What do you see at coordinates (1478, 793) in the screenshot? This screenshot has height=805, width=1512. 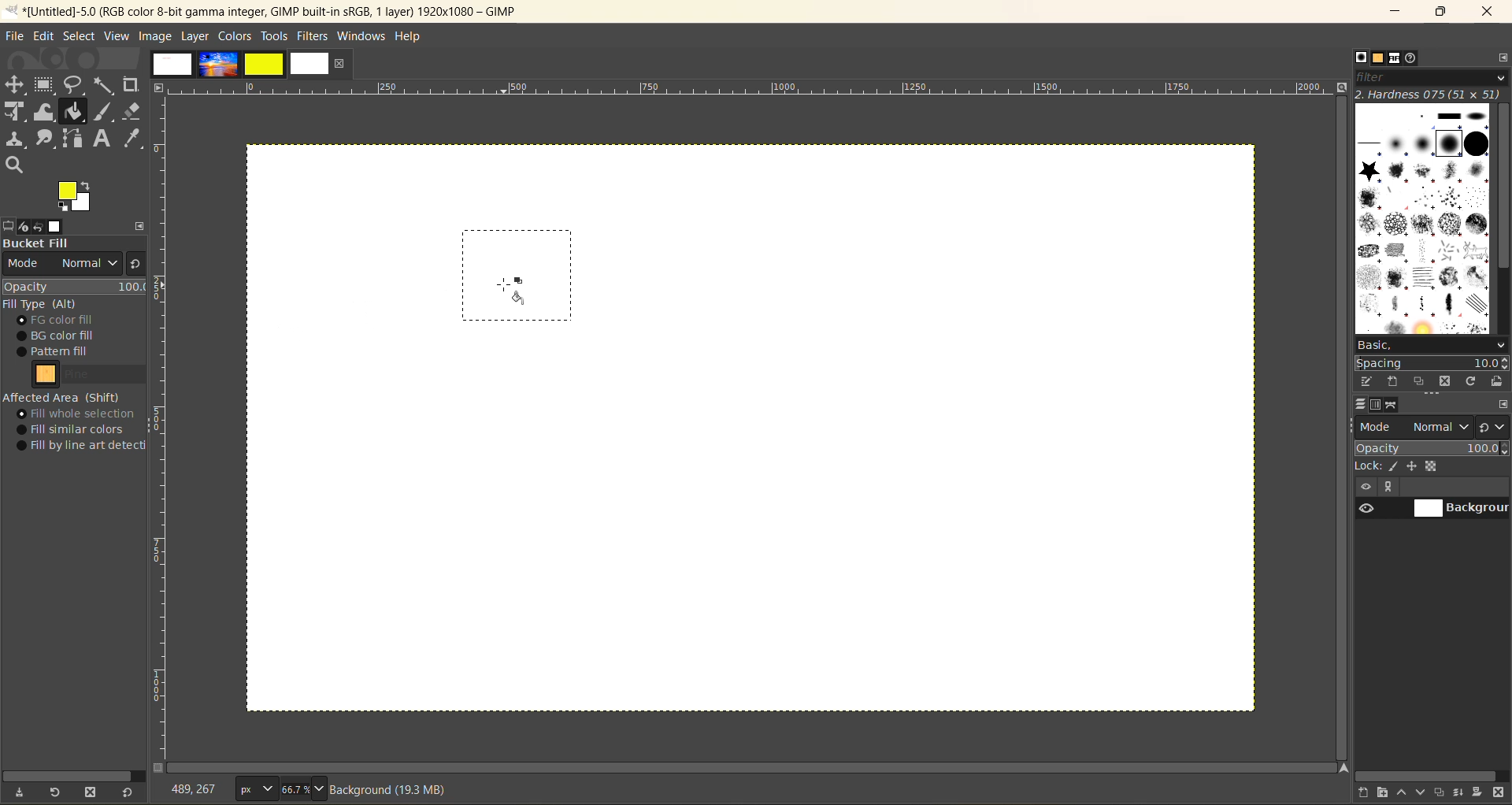 I see `add a mask` at bounding box center [1478, 793].